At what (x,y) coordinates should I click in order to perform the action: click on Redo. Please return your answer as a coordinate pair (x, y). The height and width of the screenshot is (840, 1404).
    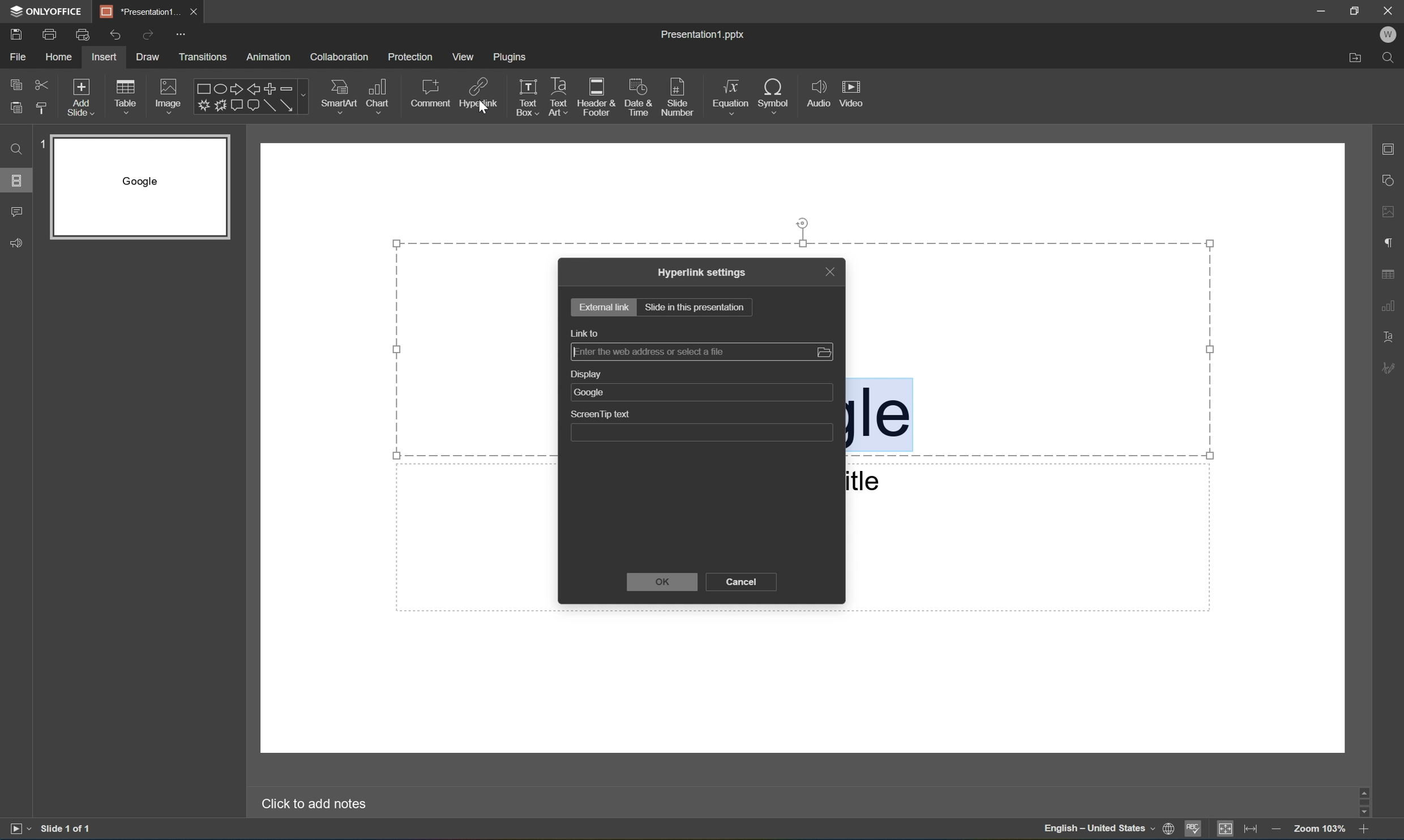
    Looking at the image, I should click on (148, 35).